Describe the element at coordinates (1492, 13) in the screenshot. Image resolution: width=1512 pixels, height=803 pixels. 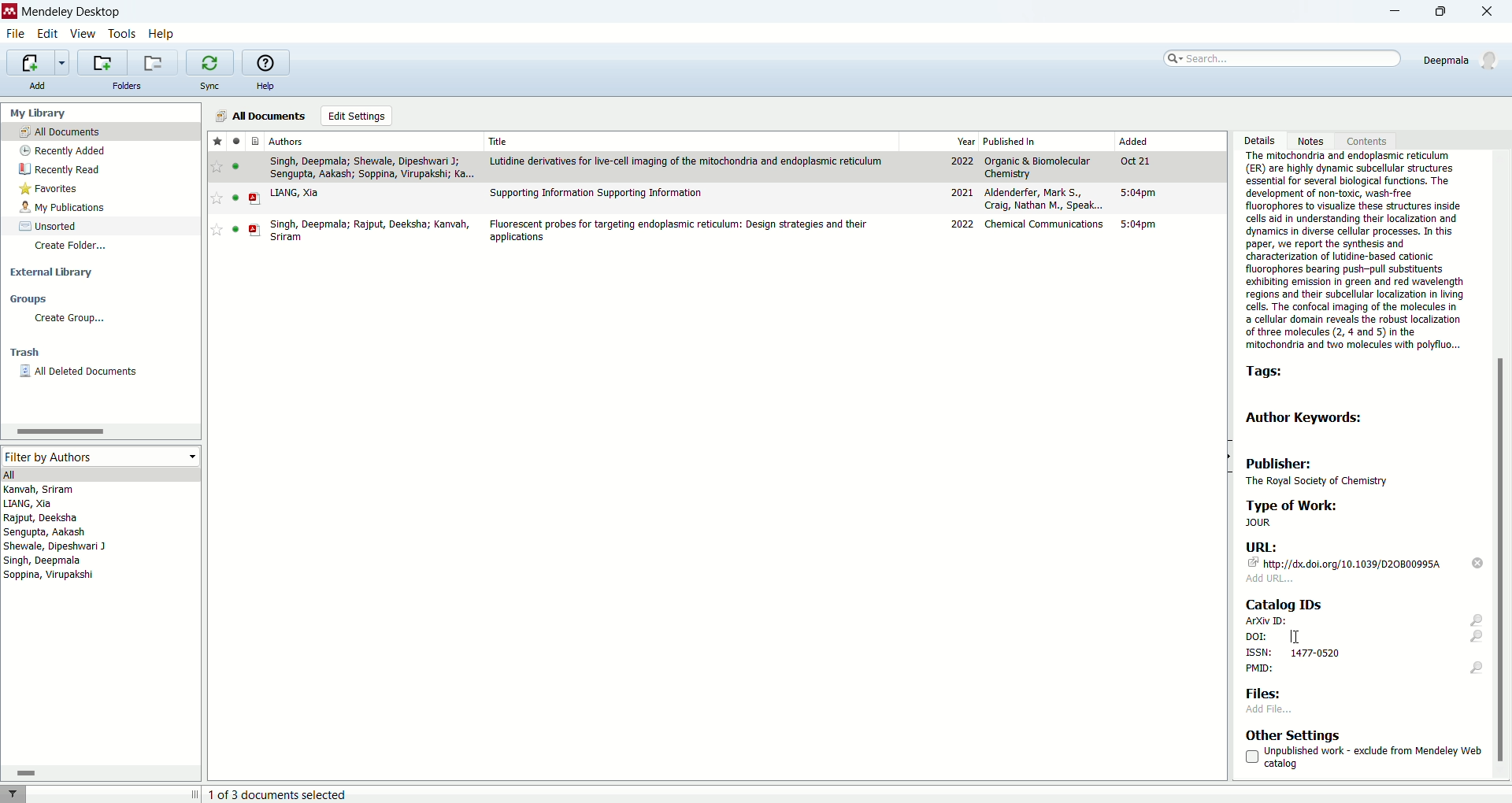
I see `close` at that location.